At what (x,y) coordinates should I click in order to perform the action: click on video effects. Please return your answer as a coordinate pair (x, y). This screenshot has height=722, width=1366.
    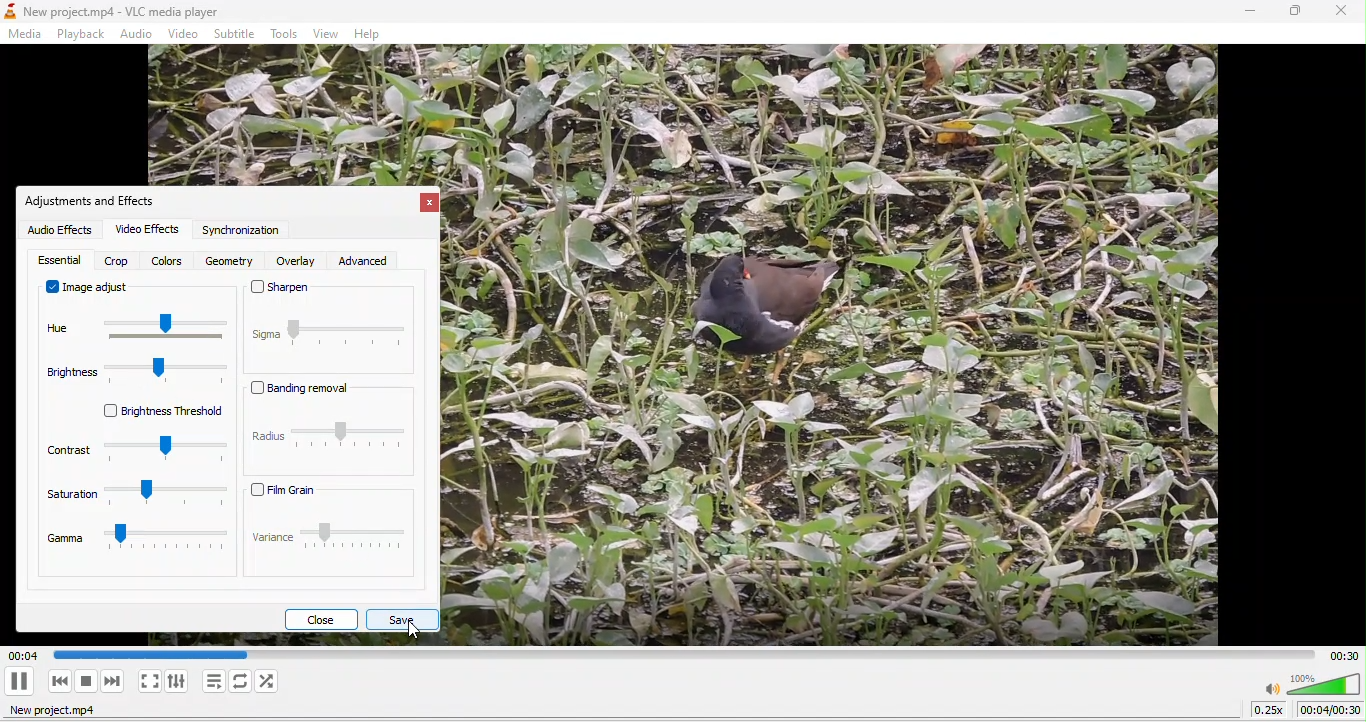
    Looking at the image, I should click on (146, 231).